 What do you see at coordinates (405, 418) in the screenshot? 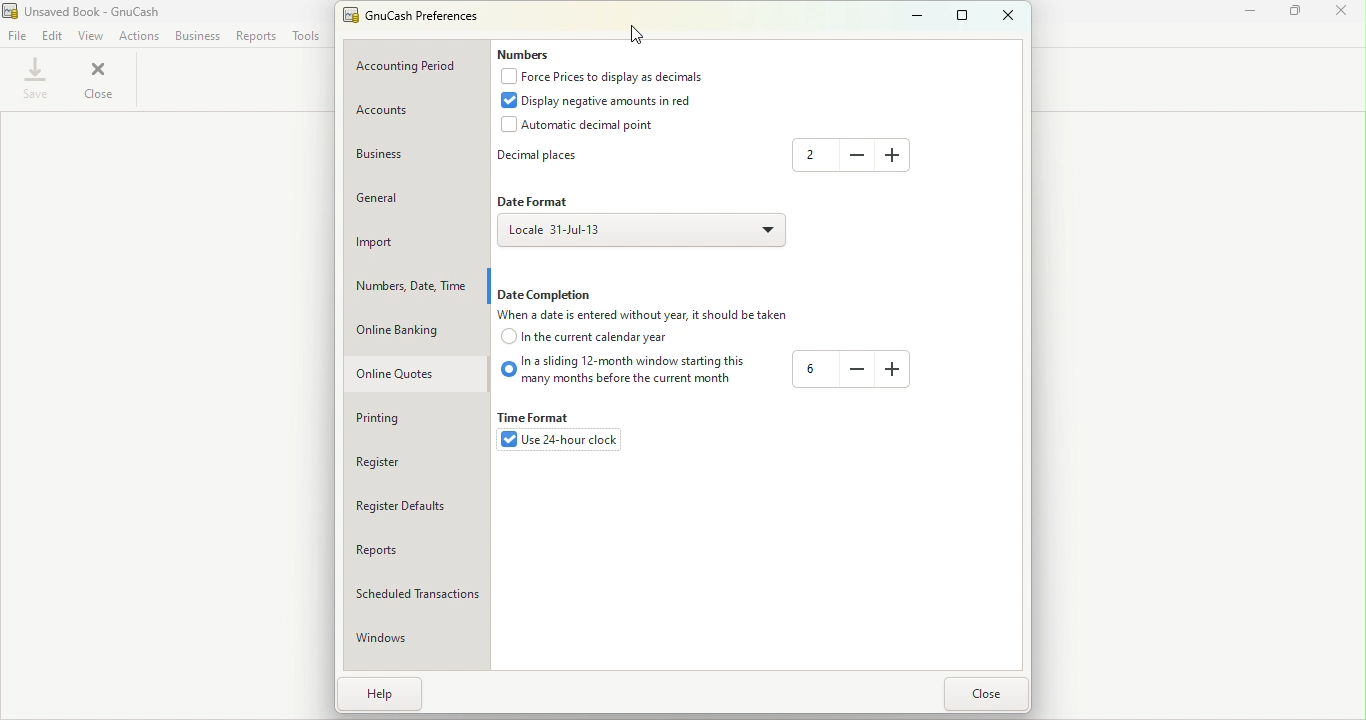
I see `Printing` at bounding box center [405, 418].